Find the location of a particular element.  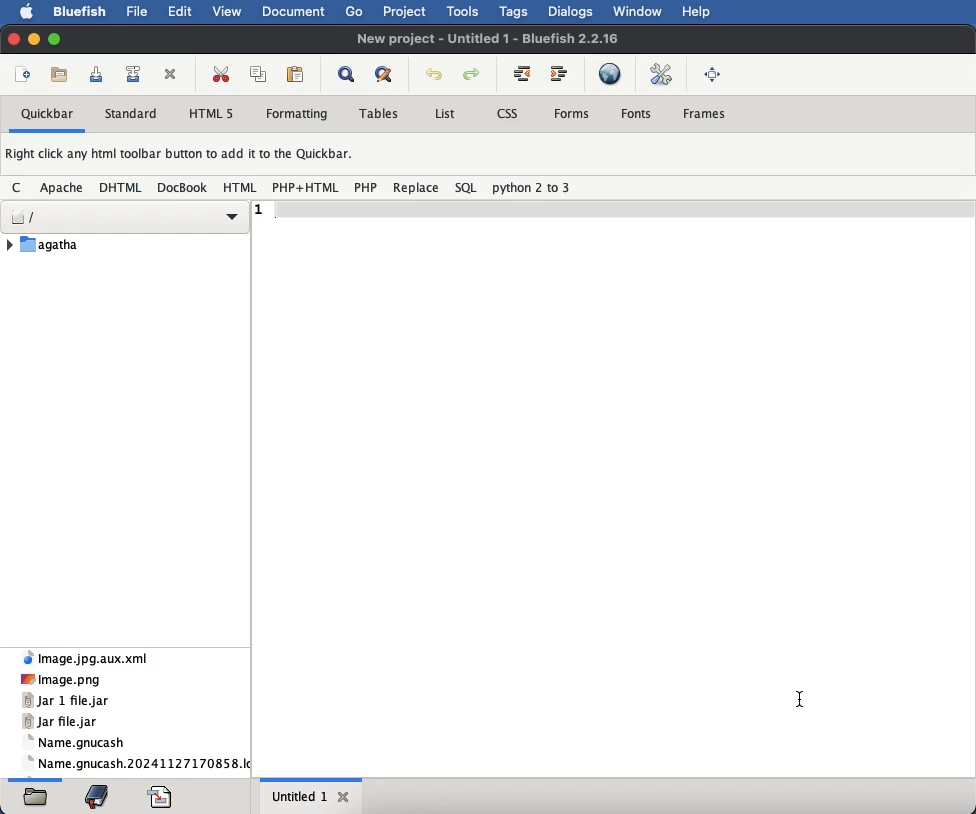

tools is located at coordinates (465, 11).